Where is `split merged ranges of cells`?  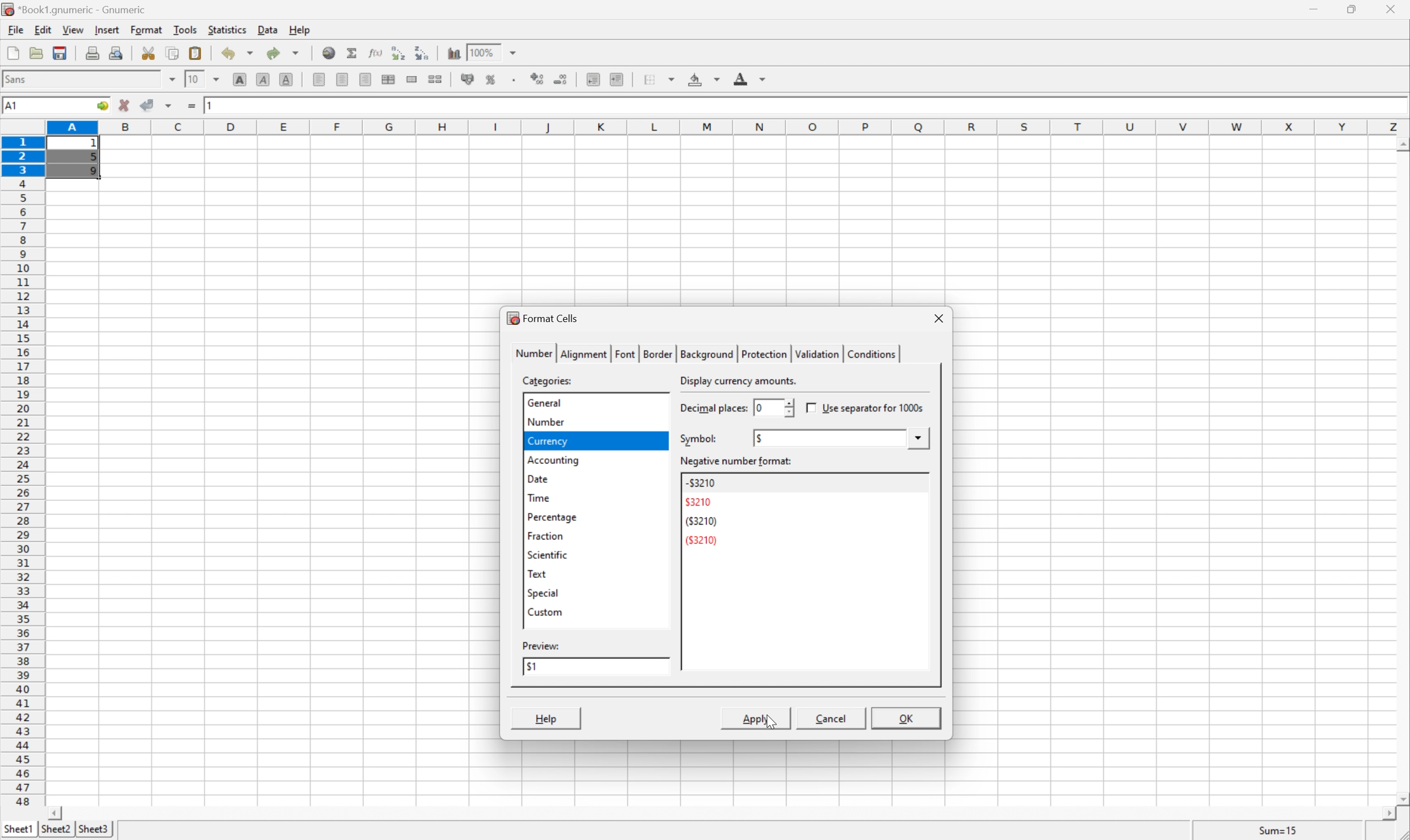 split merged ranges of cells is located at coordinates (437, 78).